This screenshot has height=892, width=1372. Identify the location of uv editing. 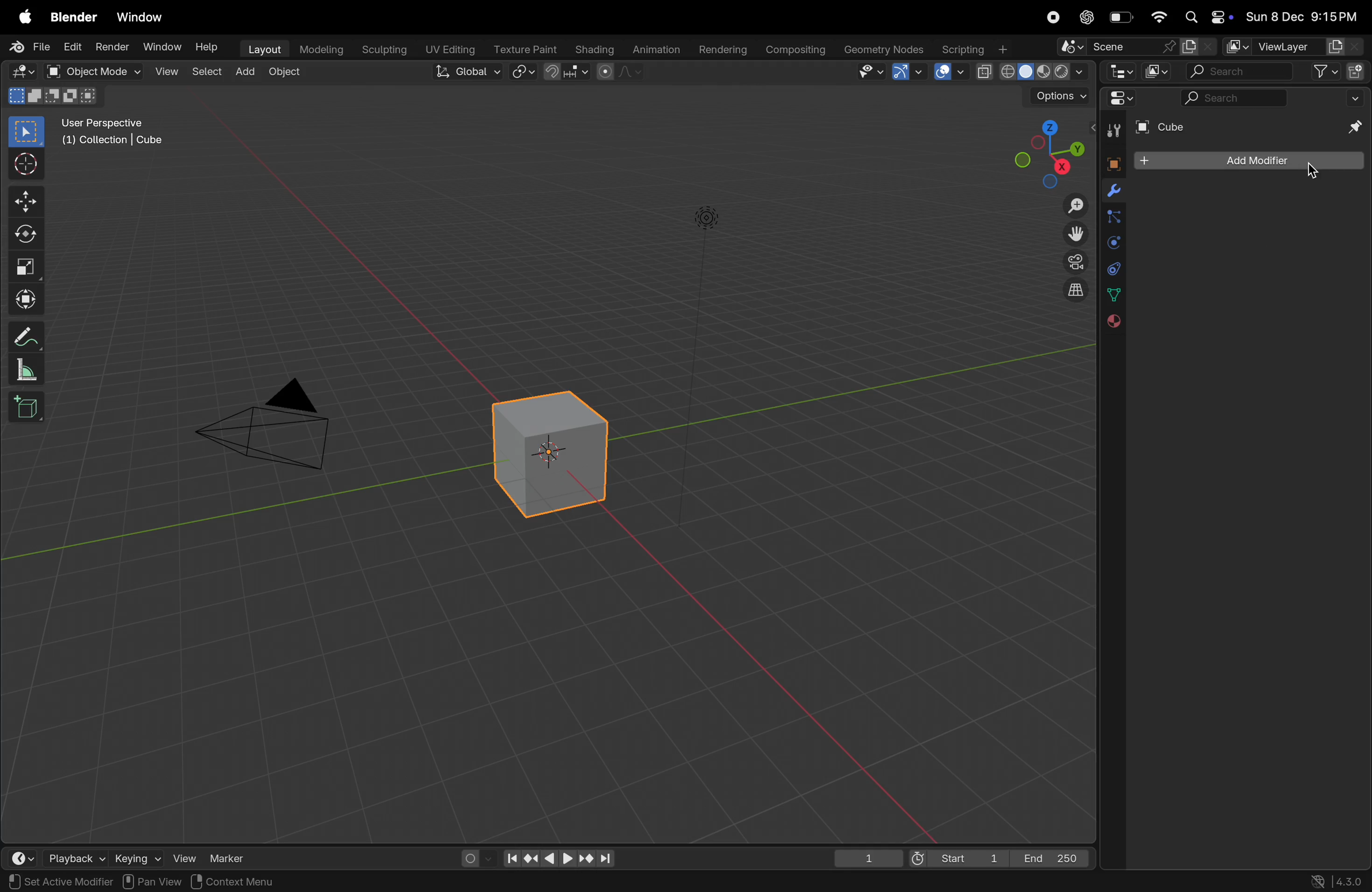
(452, 48).